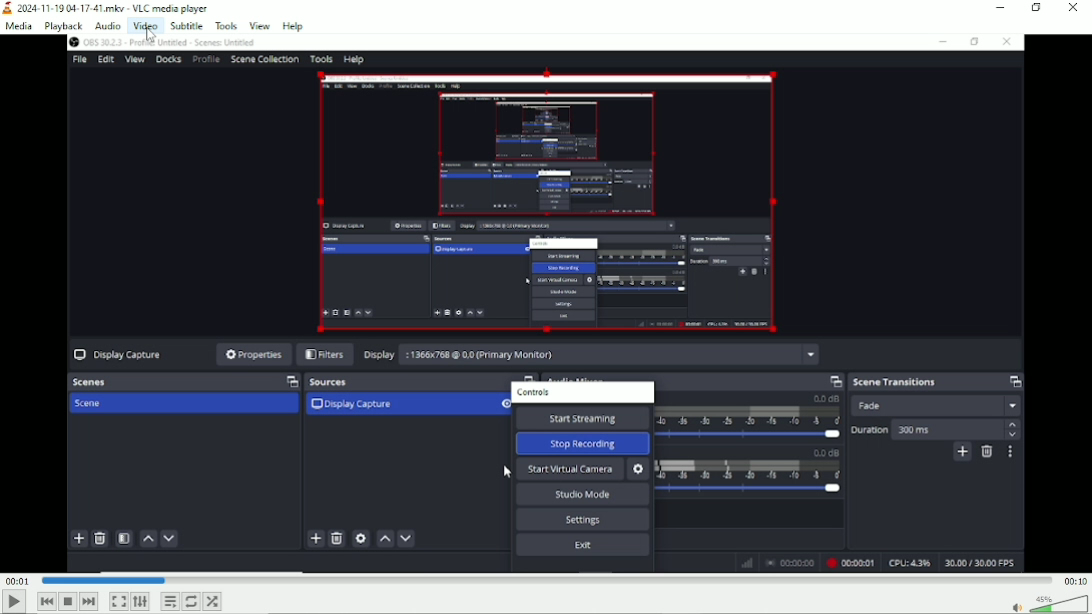  I want to click on help, so click(293, 25).